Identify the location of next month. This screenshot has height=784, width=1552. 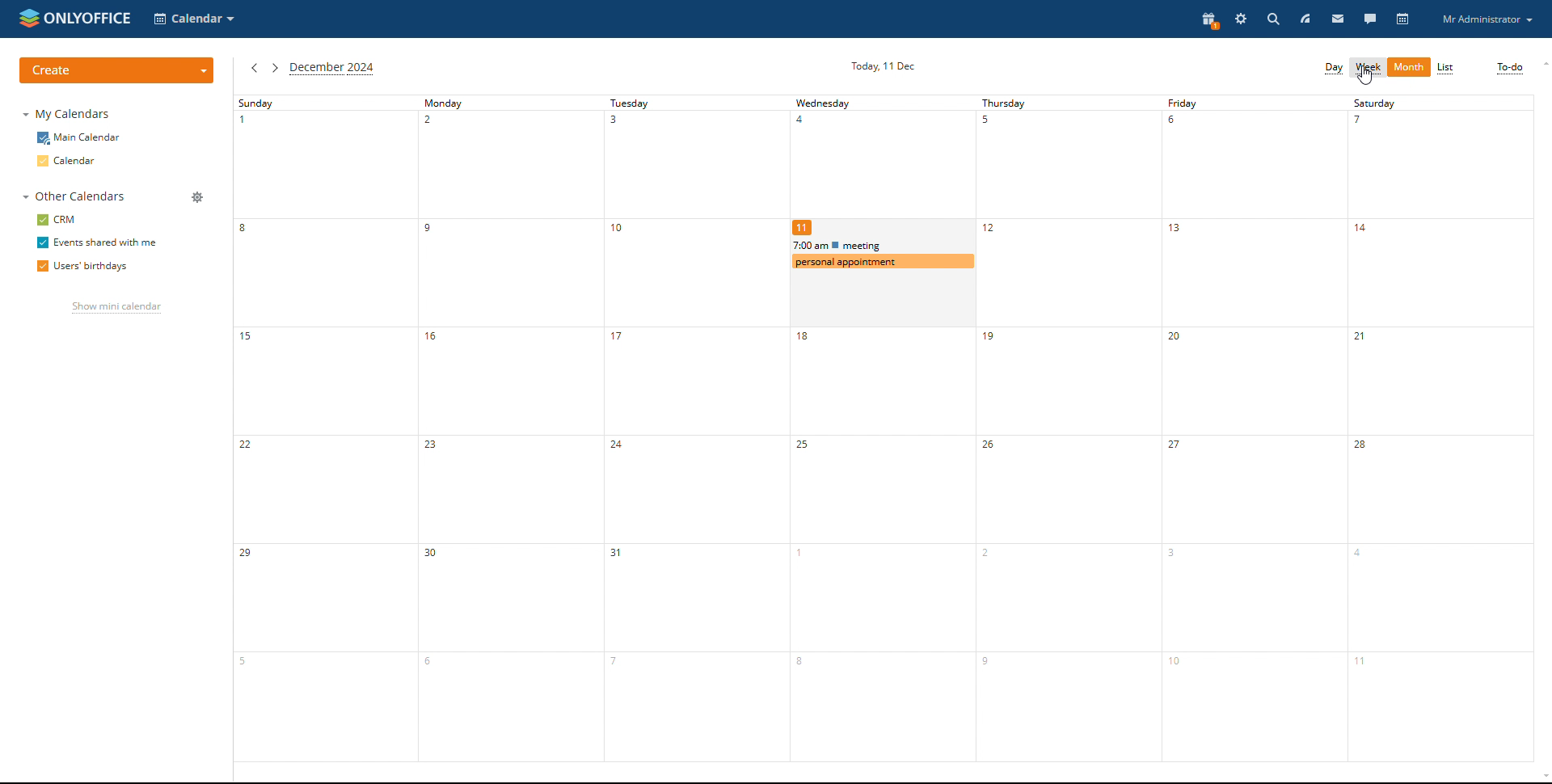
(274, 68).